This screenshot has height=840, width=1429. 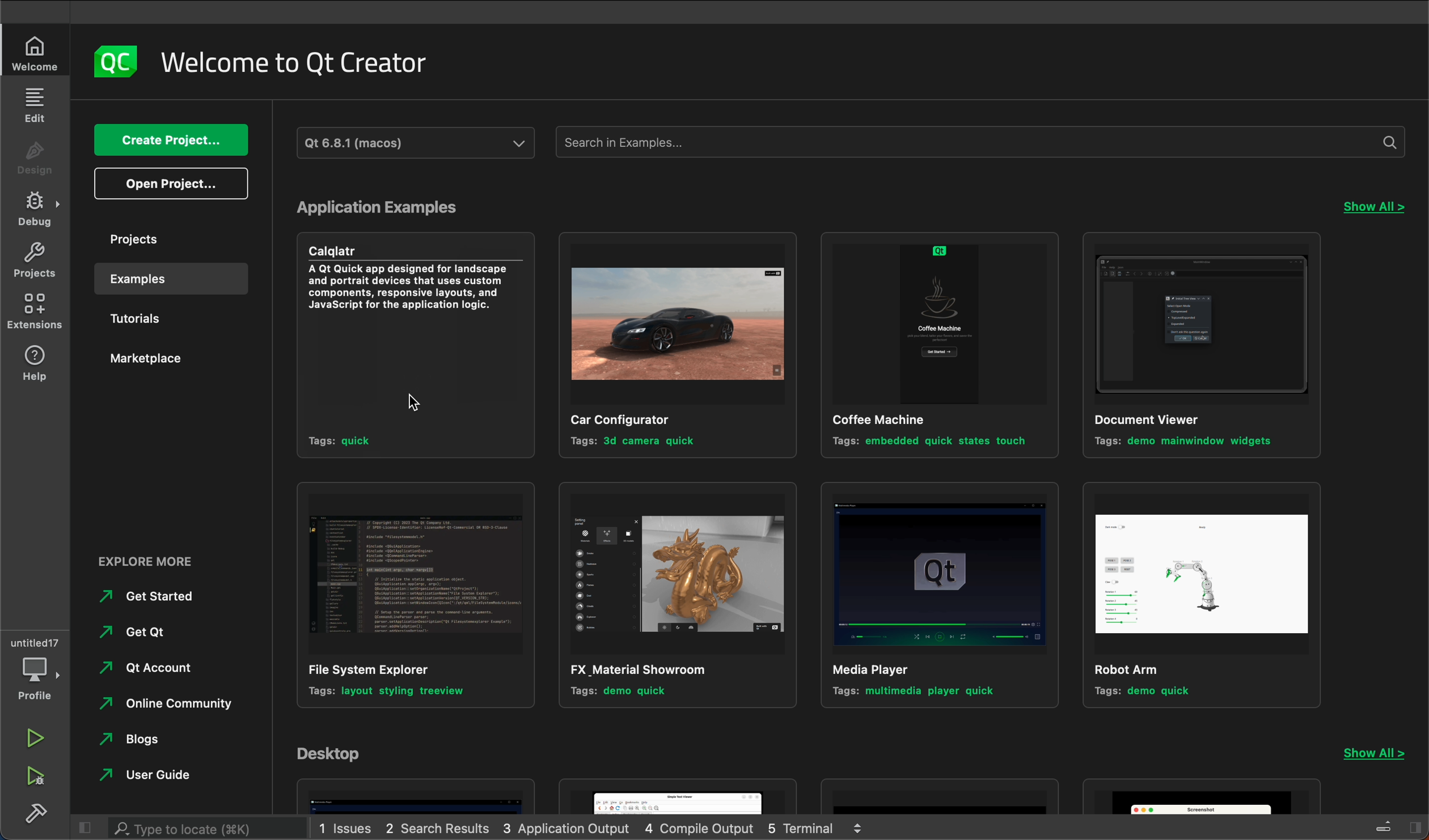 What do you see at coordinates (1204, 345) in the screenshot?
I see `document viewer` at bounding box center [1204, 345].